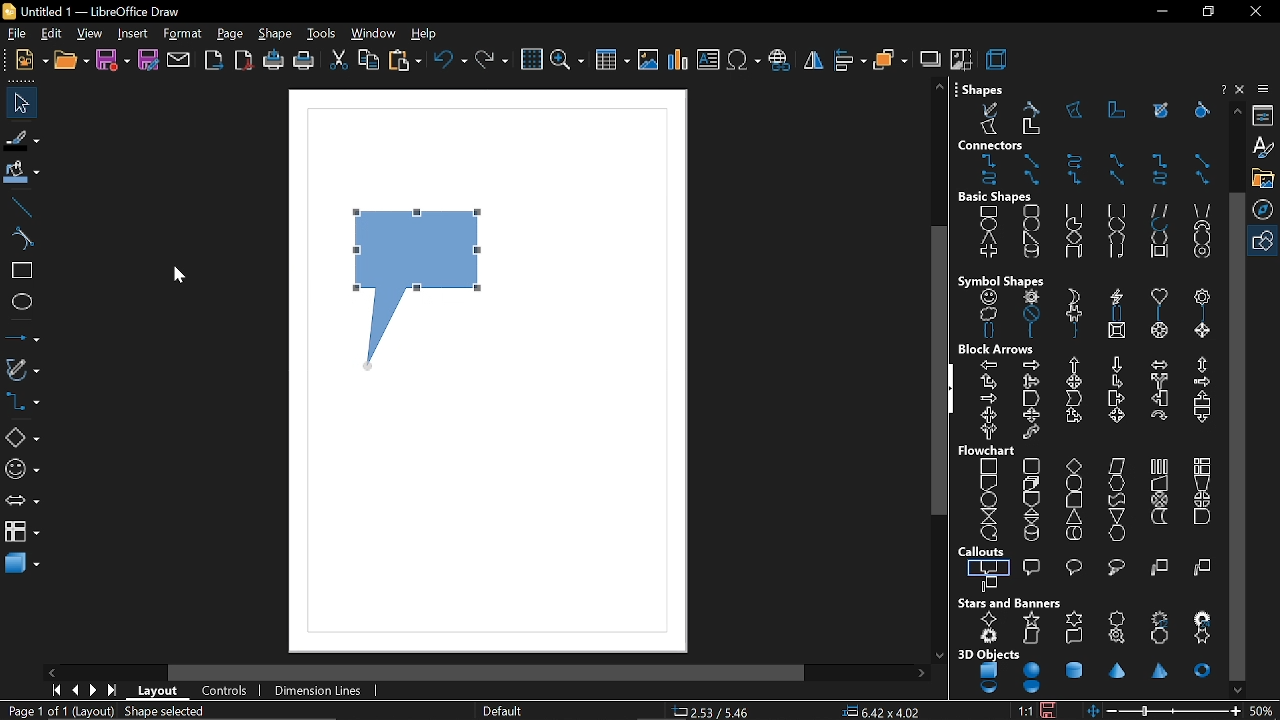  I want to click on magnetic disc, so click(1029, 533).